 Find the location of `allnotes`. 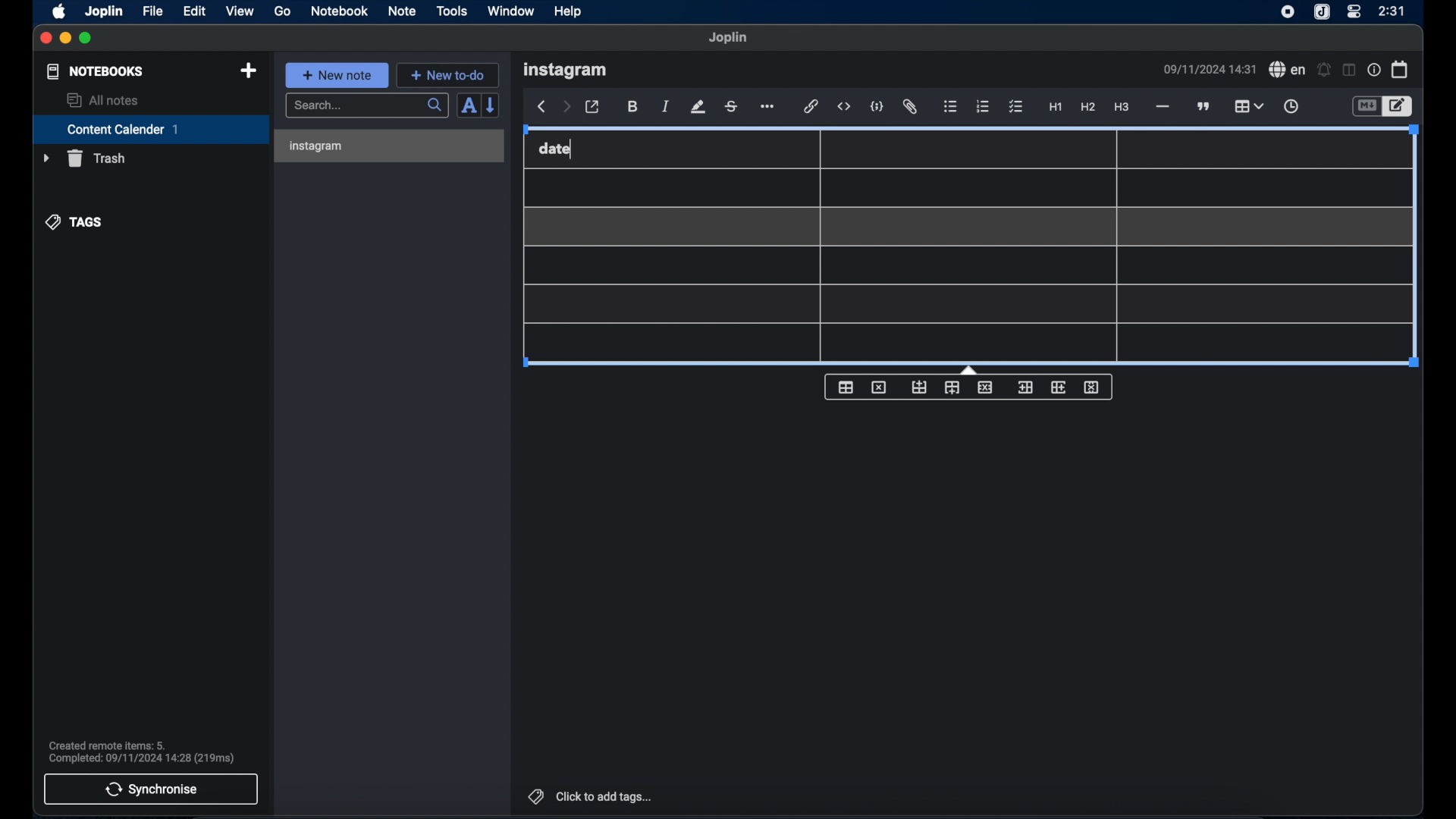

allnotes is located at coordinates (104, 100).